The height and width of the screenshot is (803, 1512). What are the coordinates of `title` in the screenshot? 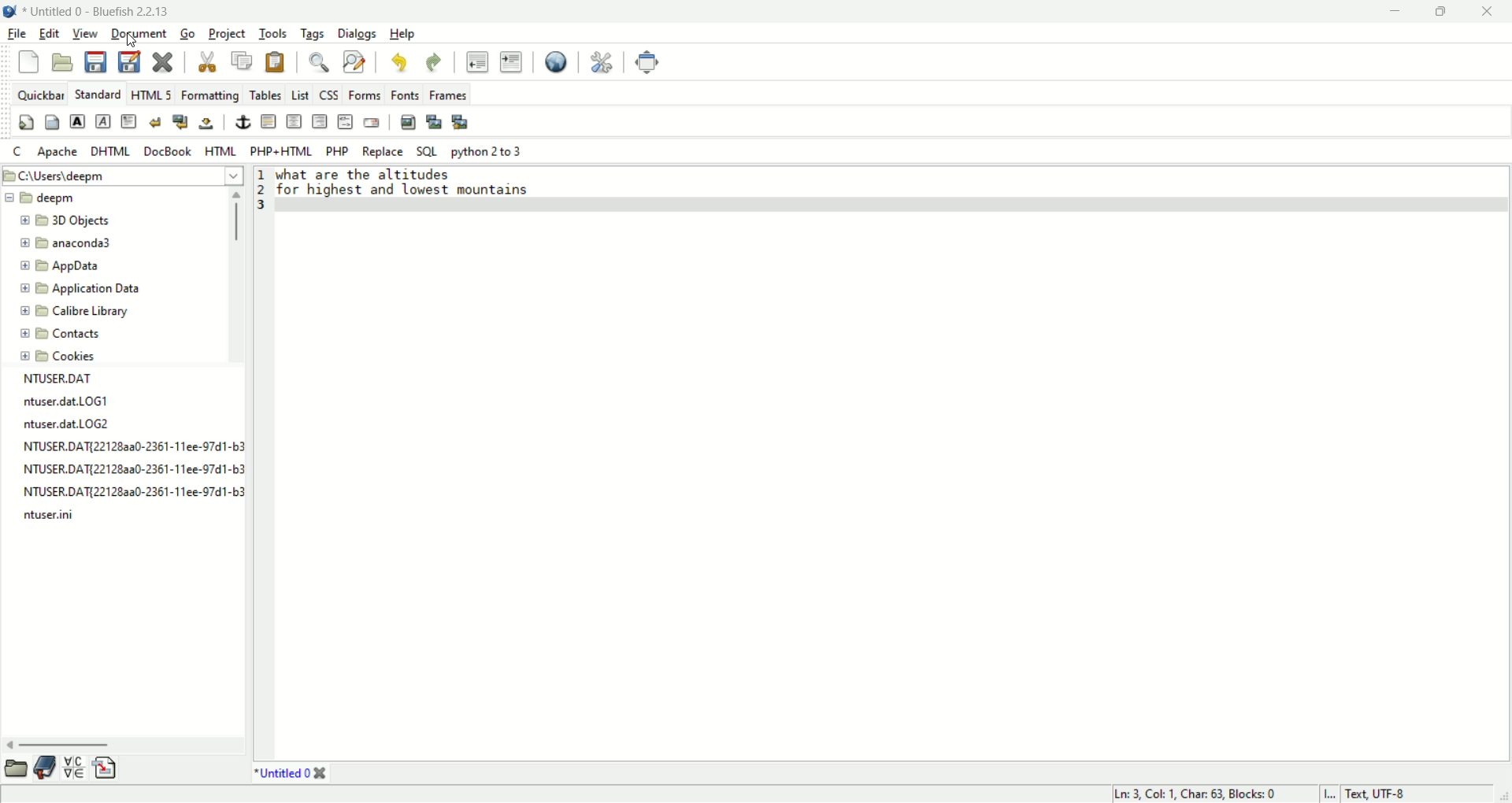 It's located at (100, 10).